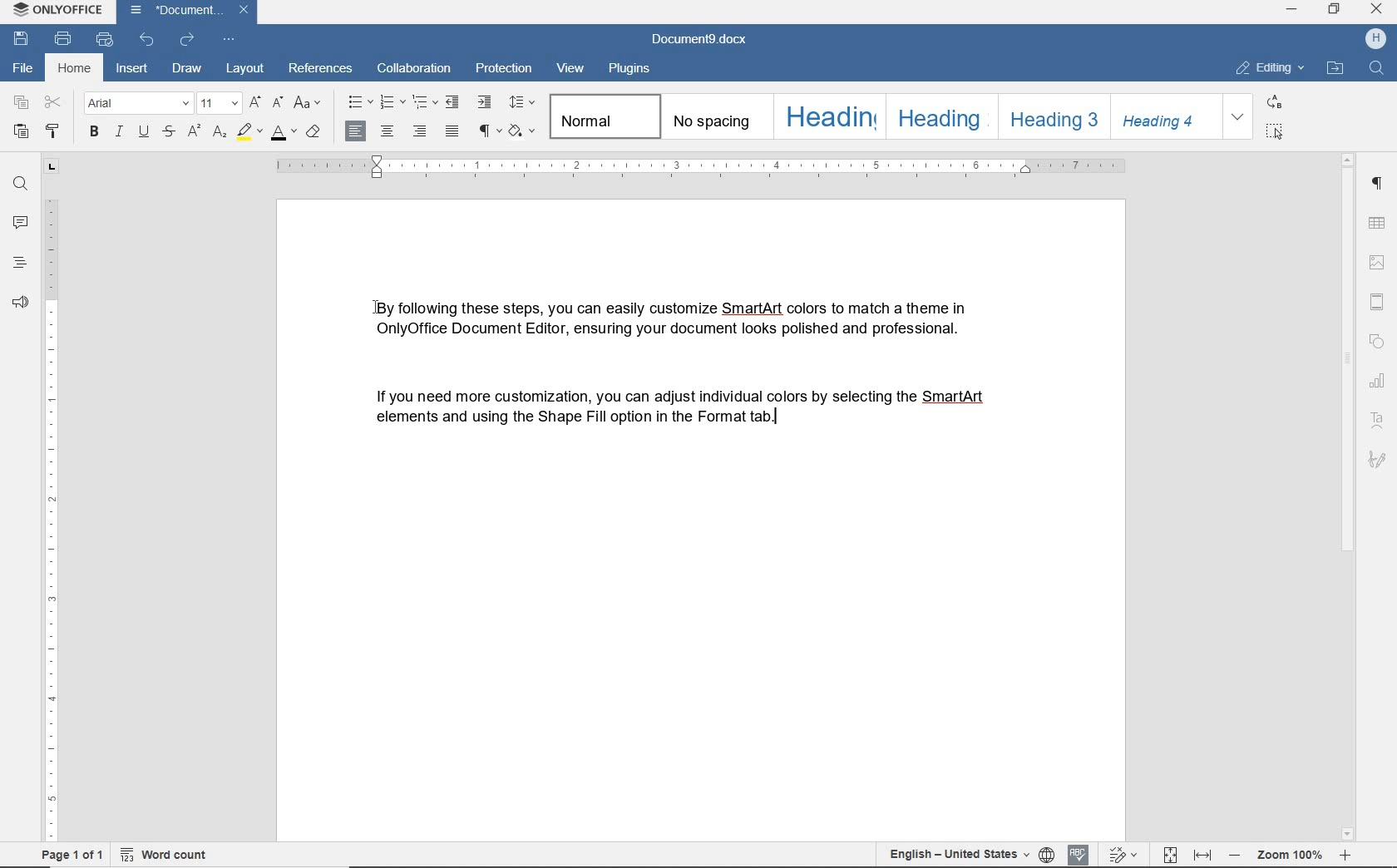 This screenshot has width=1397, height=868. I want to click on insert, so click(133, 69).